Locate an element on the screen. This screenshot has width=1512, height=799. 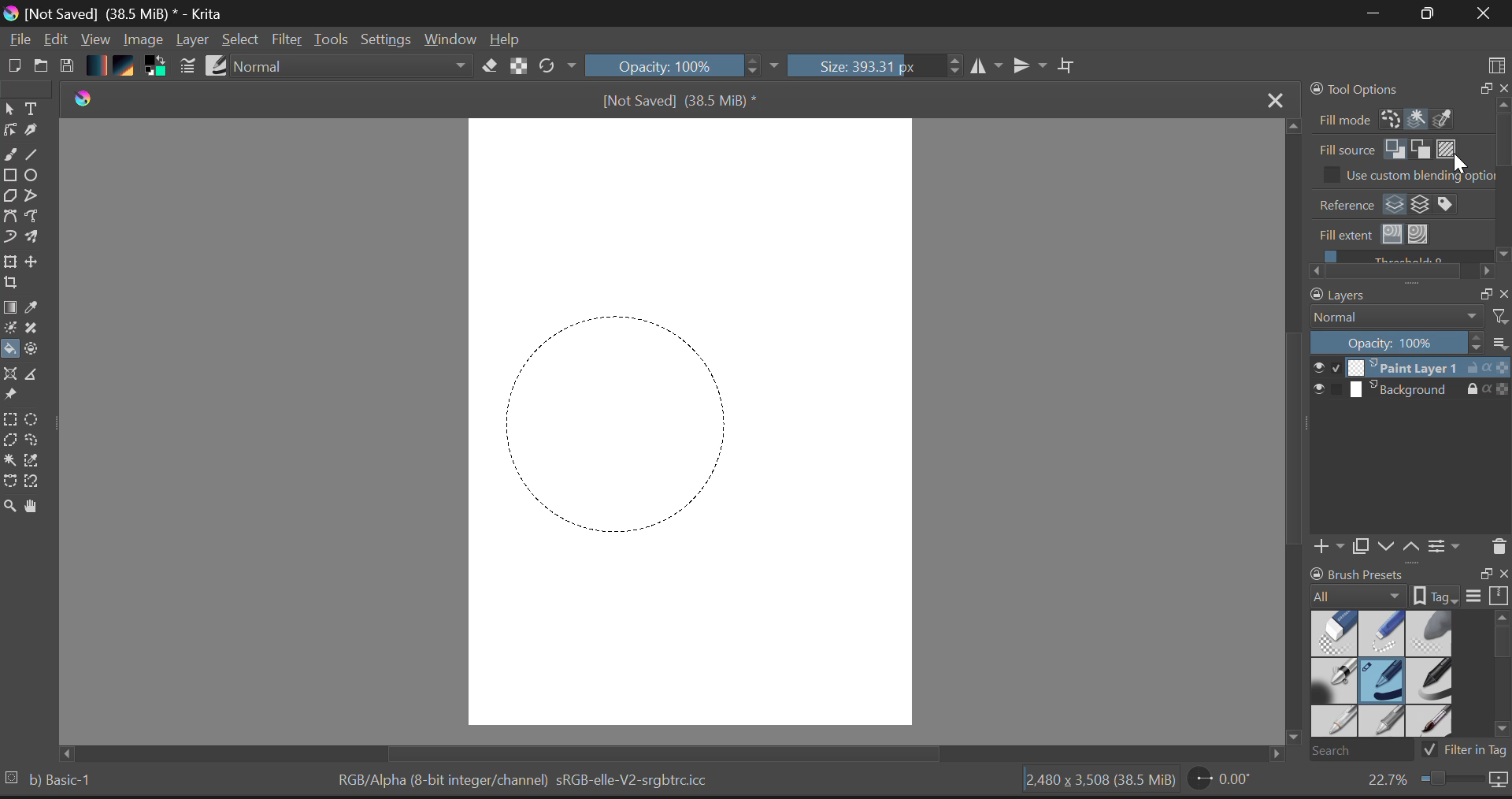
Cursor on Fill Source: Pattern is located at coordinates (1445, 149).